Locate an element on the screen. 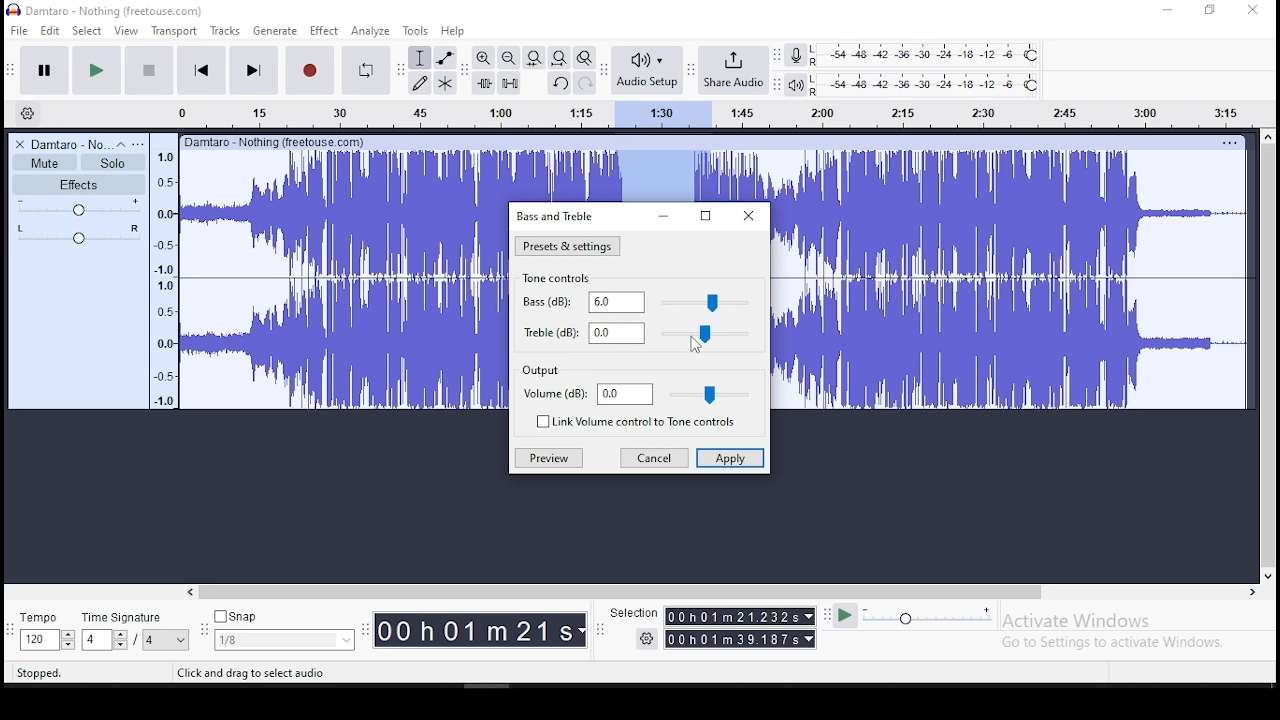  cancel is located at coordinates (654, 460).